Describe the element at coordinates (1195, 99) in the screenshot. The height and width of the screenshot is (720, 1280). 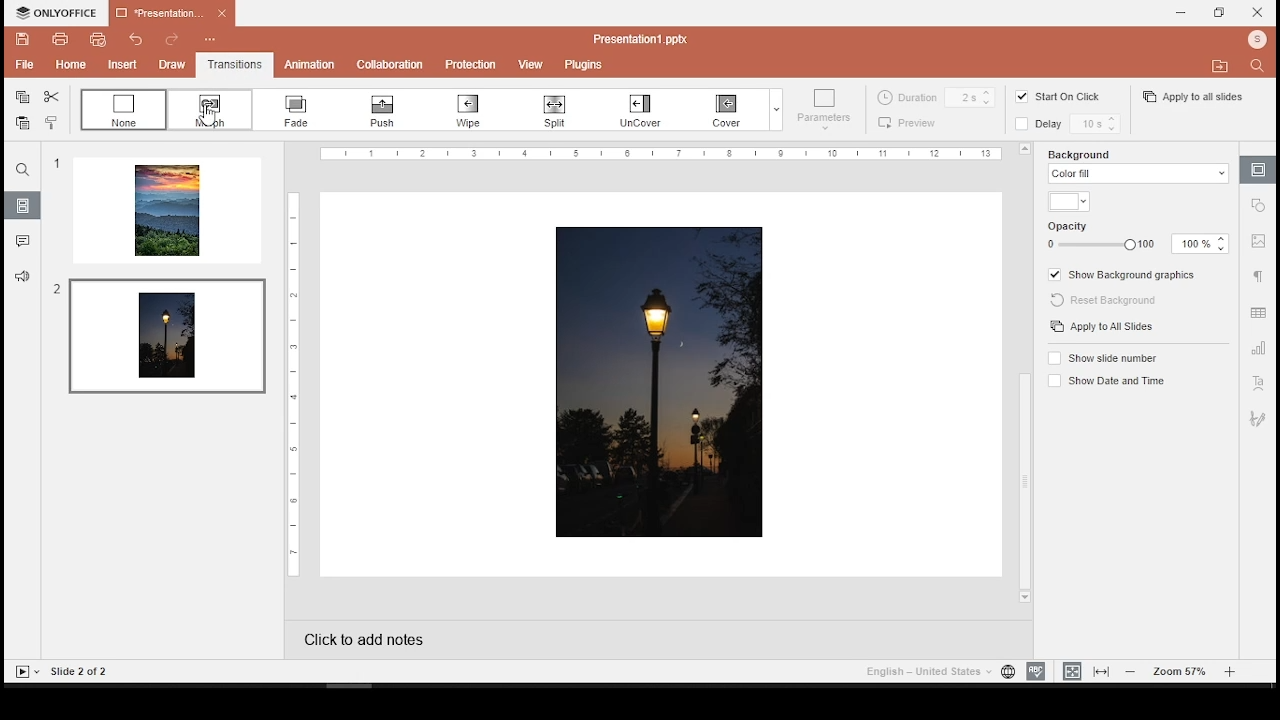
I see `slide style` at that location.